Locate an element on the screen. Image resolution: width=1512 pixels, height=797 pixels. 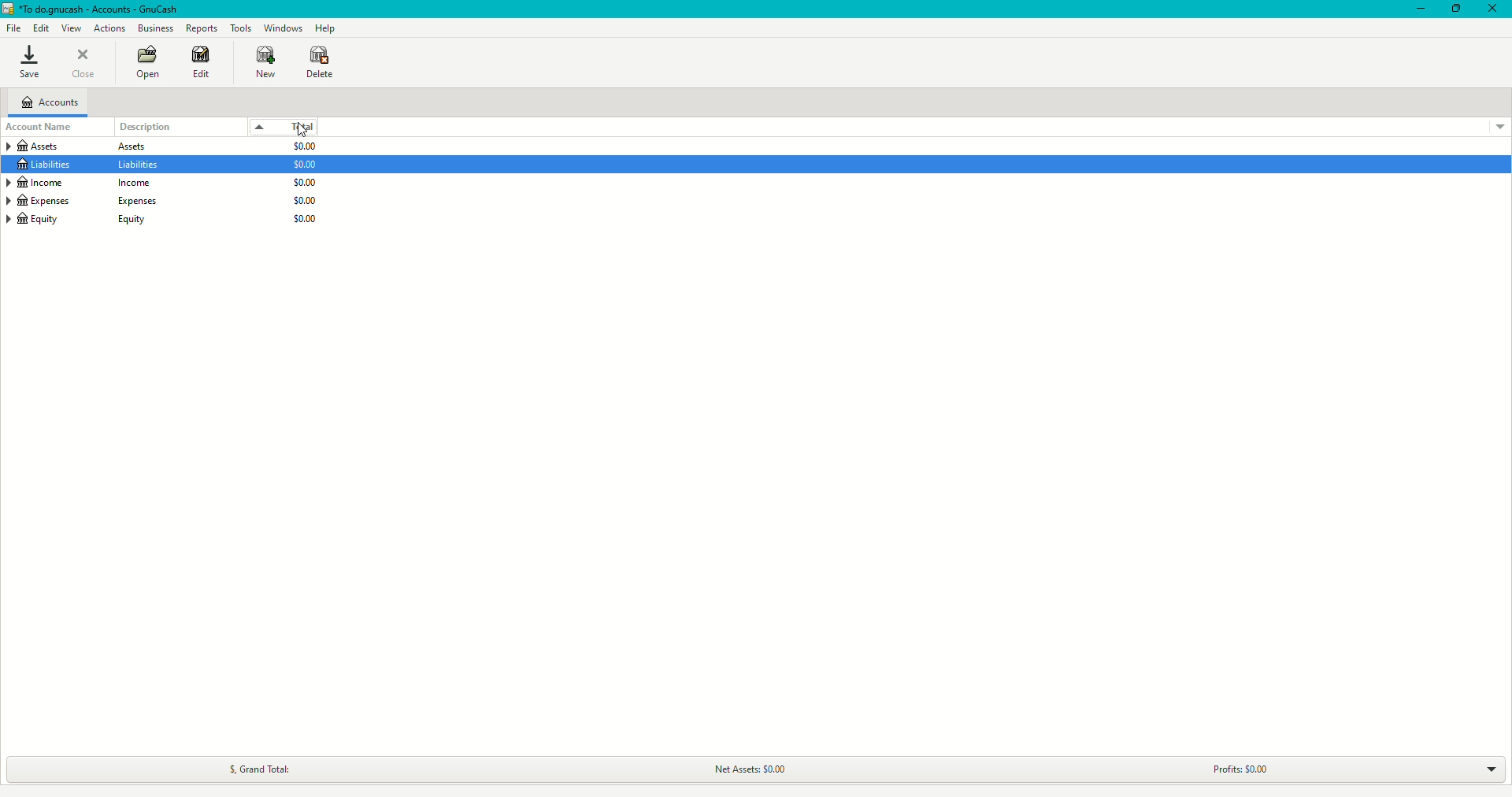
Mew is located at coordinates (262, 61).